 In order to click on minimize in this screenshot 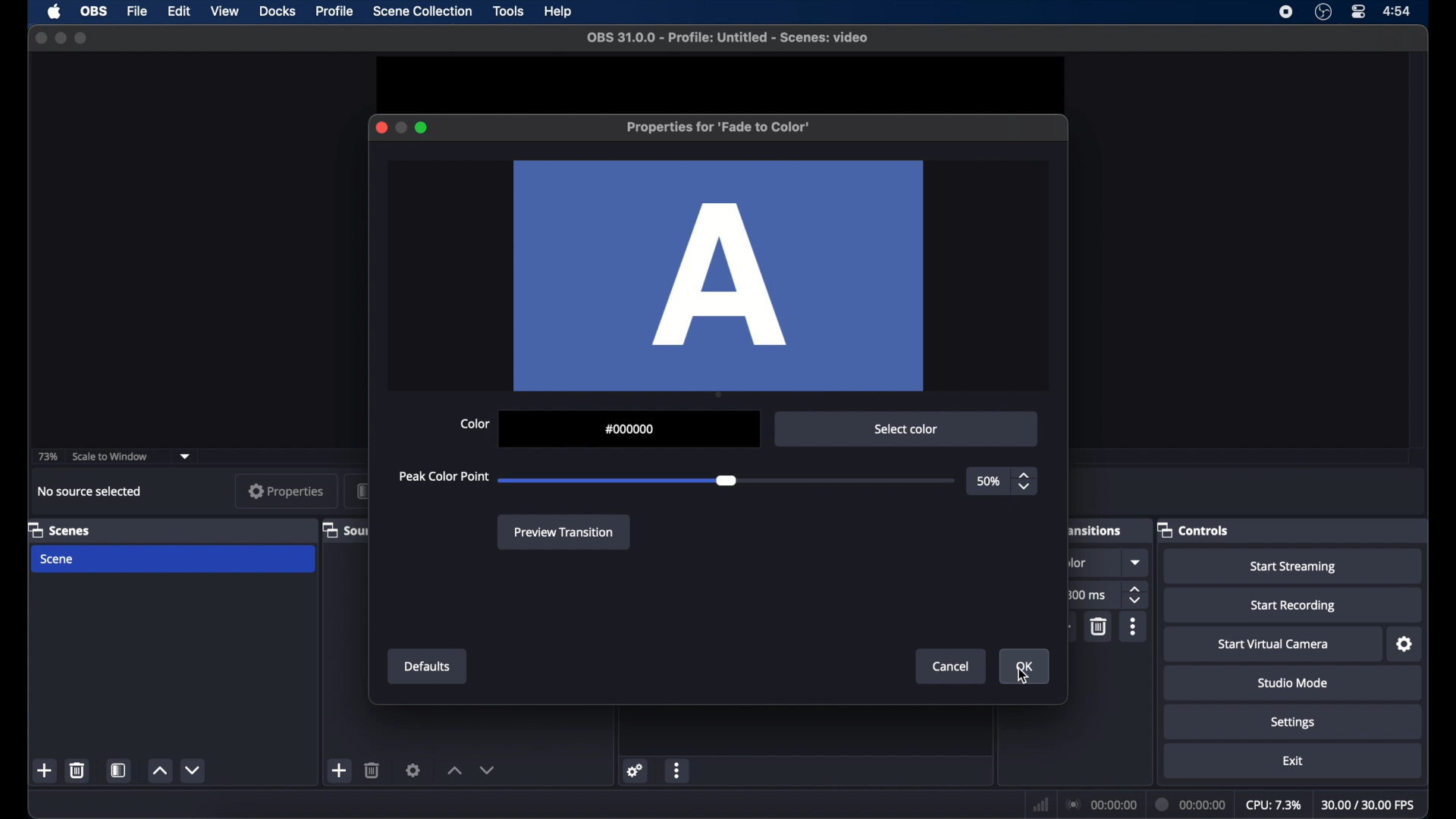, I will do `click(60, 38)`.